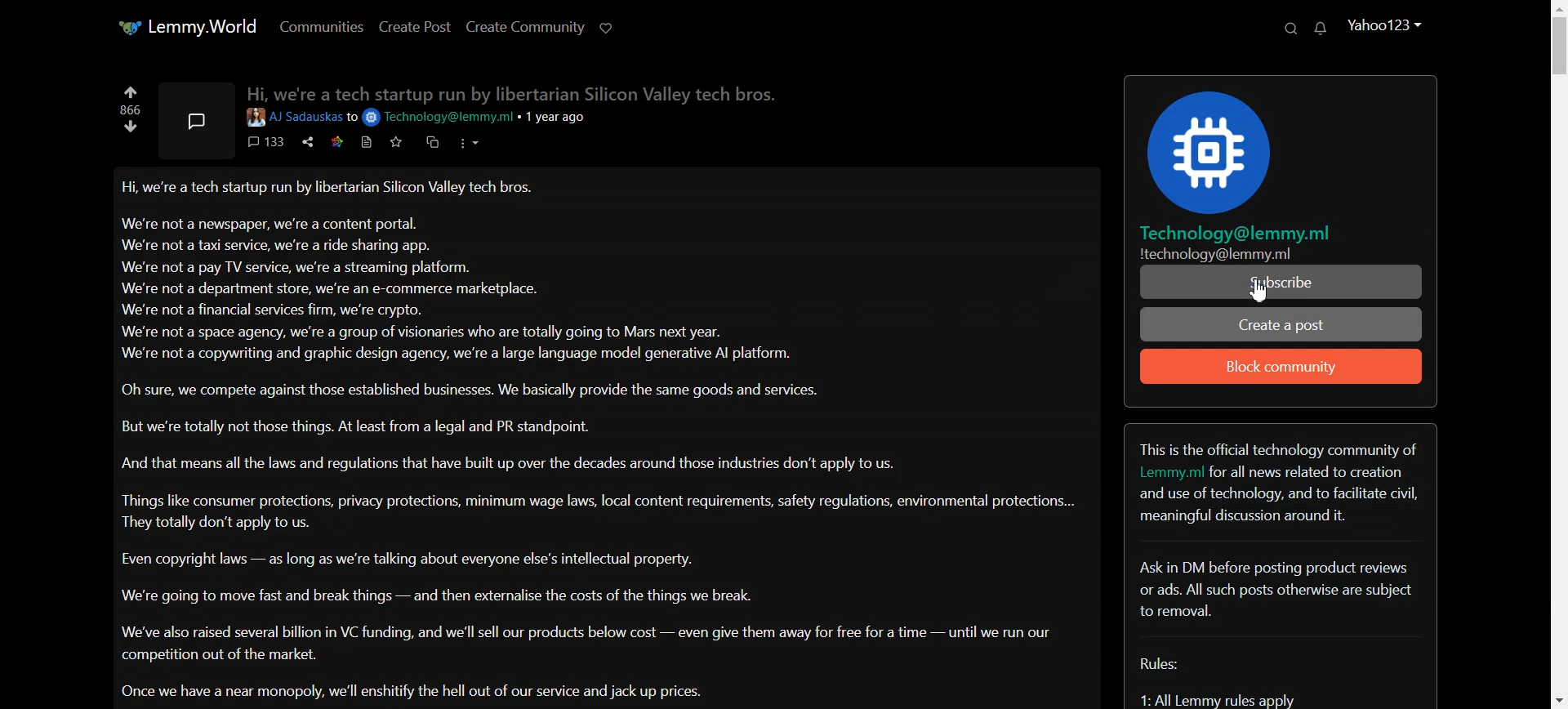 The width and height of the screenshot is (1568, 709). Describe the element at coordinates (293, 118) in the screenshot. I see `aj sadauskas` at that location.